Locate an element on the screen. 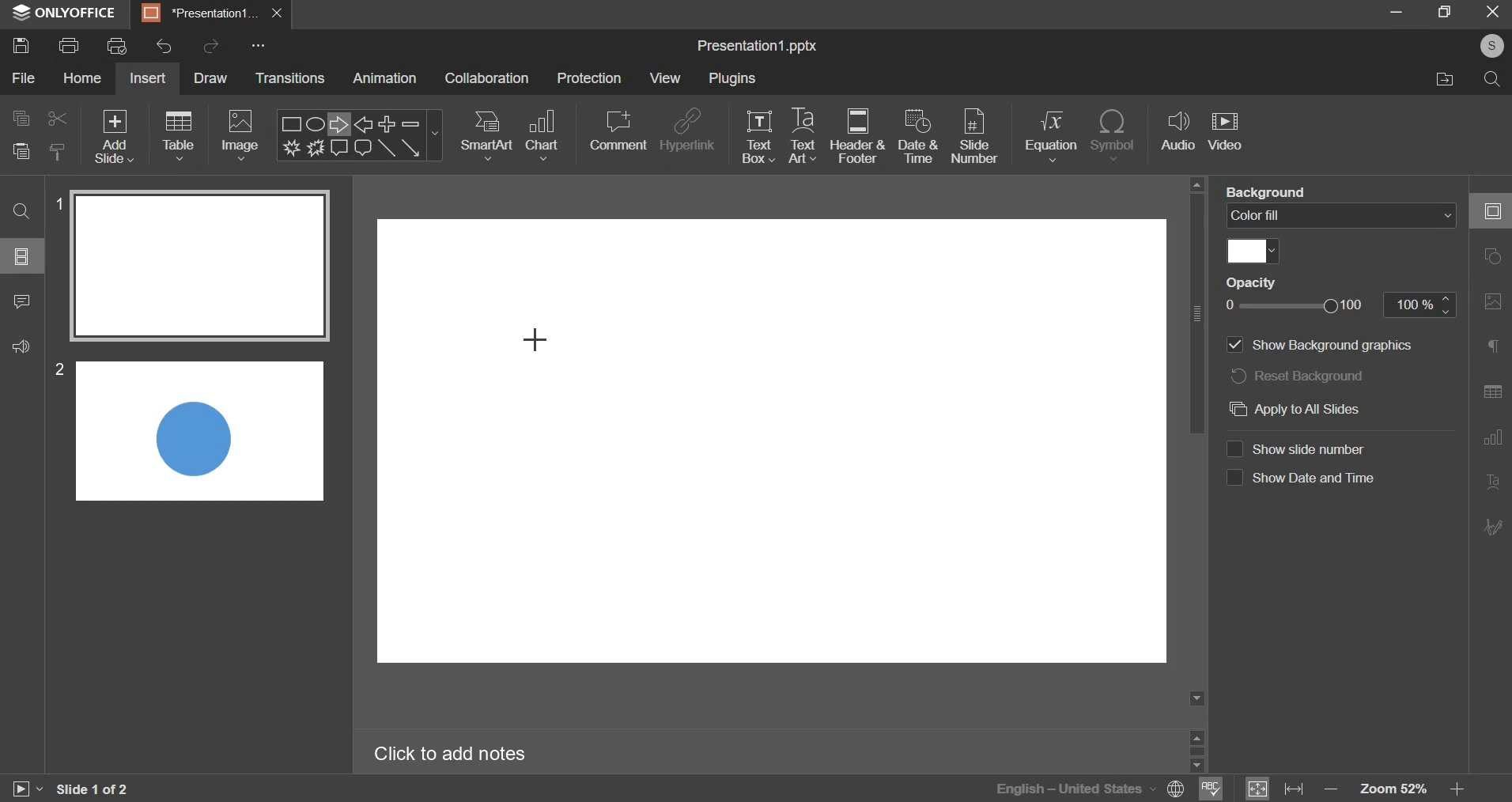 The width and height of the screenshot is (1512, 802). Rounded Rectangular callout is located at coordinates (363, 148).